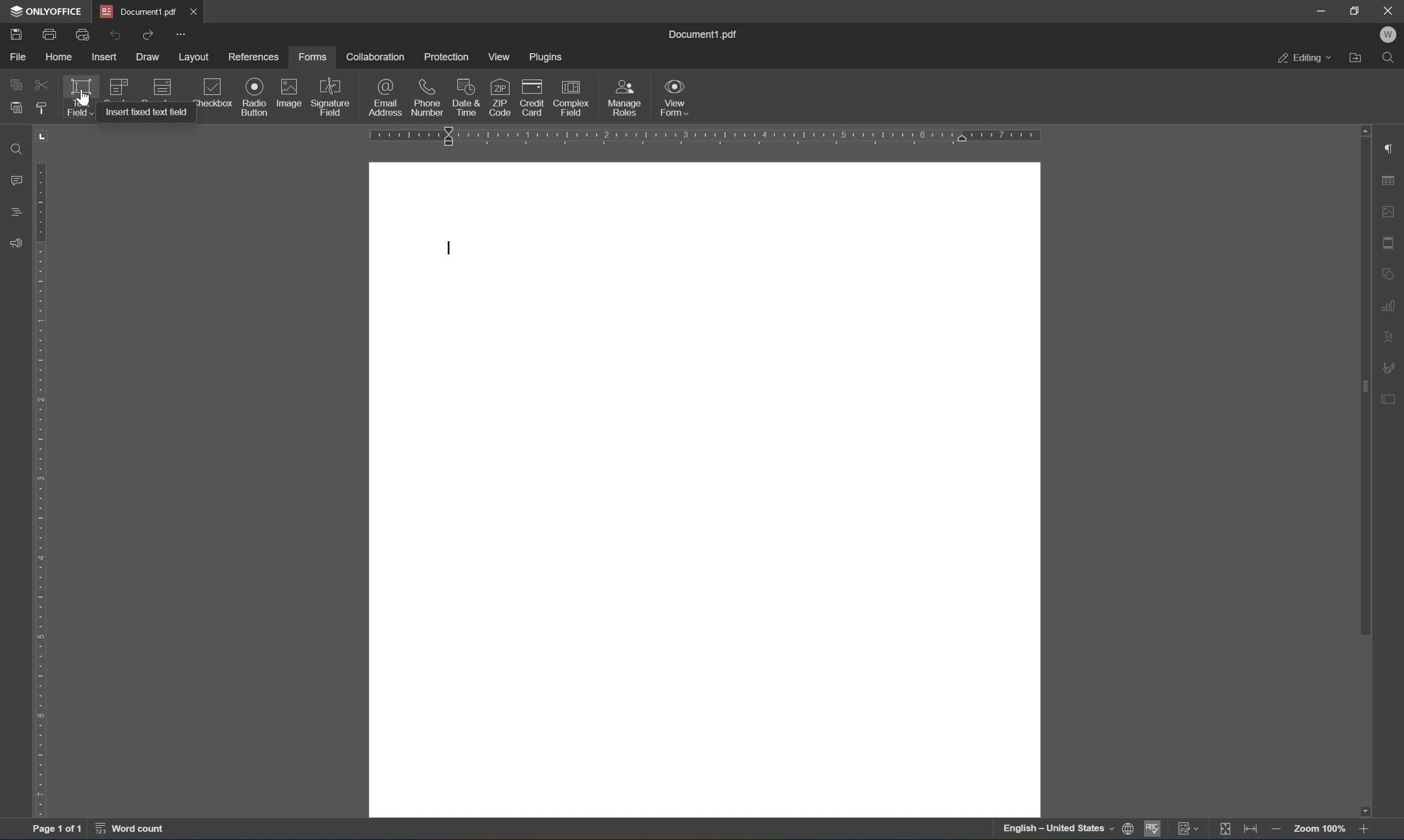 This screenshot has height=840, width=1404. I want to click on layout, so click(195, 57).